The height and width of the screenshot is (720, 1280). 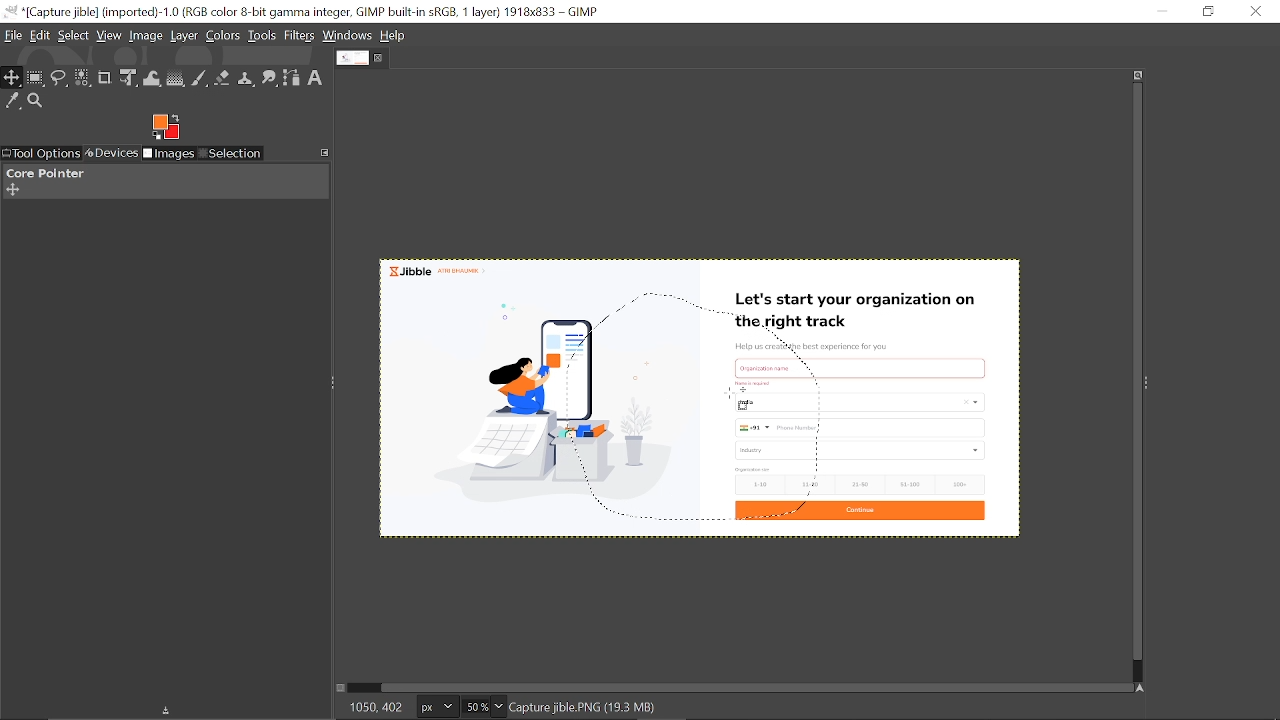 What do you see at coordinates (859, 312) in the screenshot?
I see `Let's start your organization on
the right track` at bounding box center [859, 312].